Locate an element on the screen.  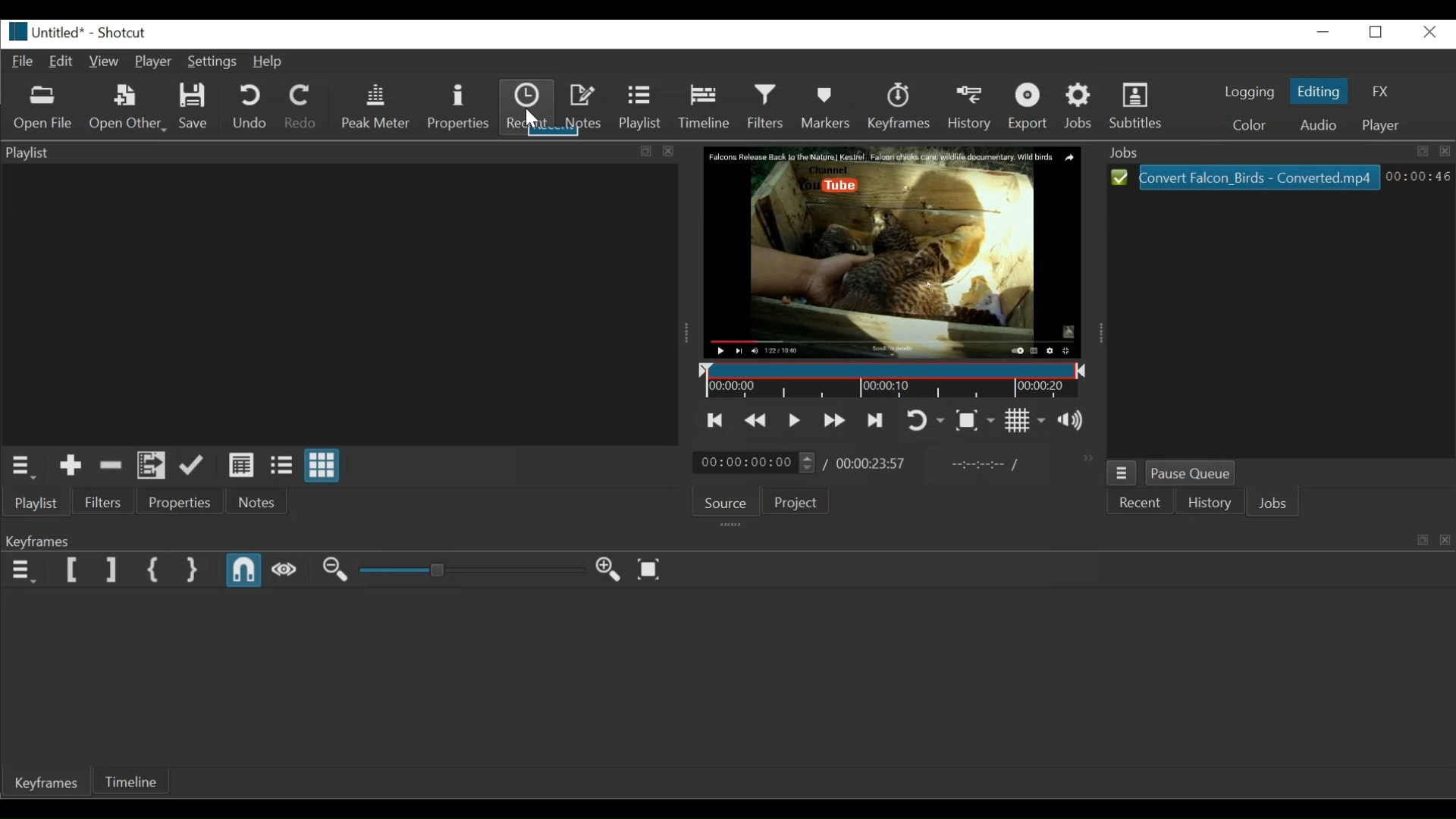
Toggler player looping is located at coordinates (926, 420).